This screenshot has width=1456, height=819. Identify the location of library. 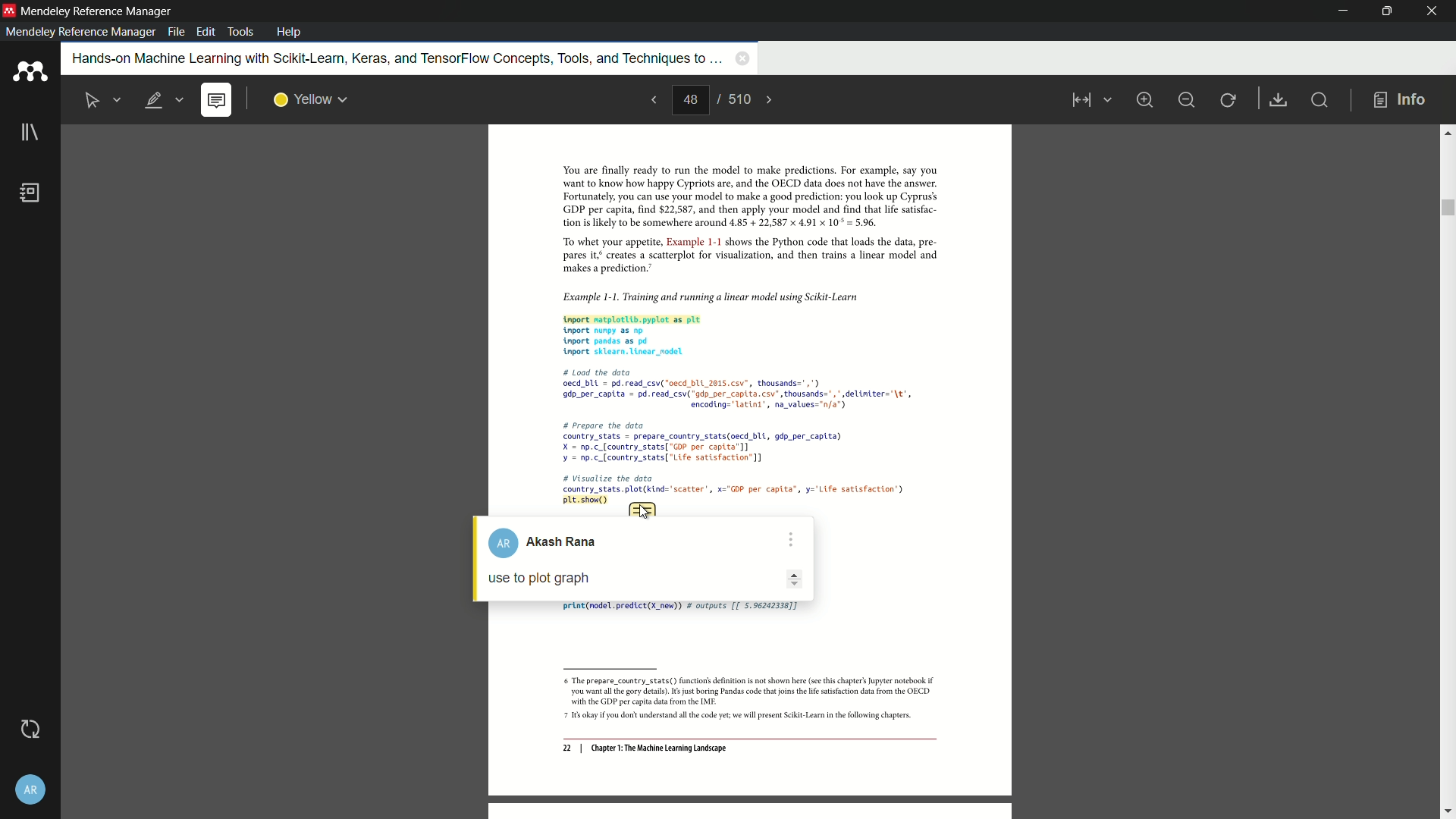
(30, 133).